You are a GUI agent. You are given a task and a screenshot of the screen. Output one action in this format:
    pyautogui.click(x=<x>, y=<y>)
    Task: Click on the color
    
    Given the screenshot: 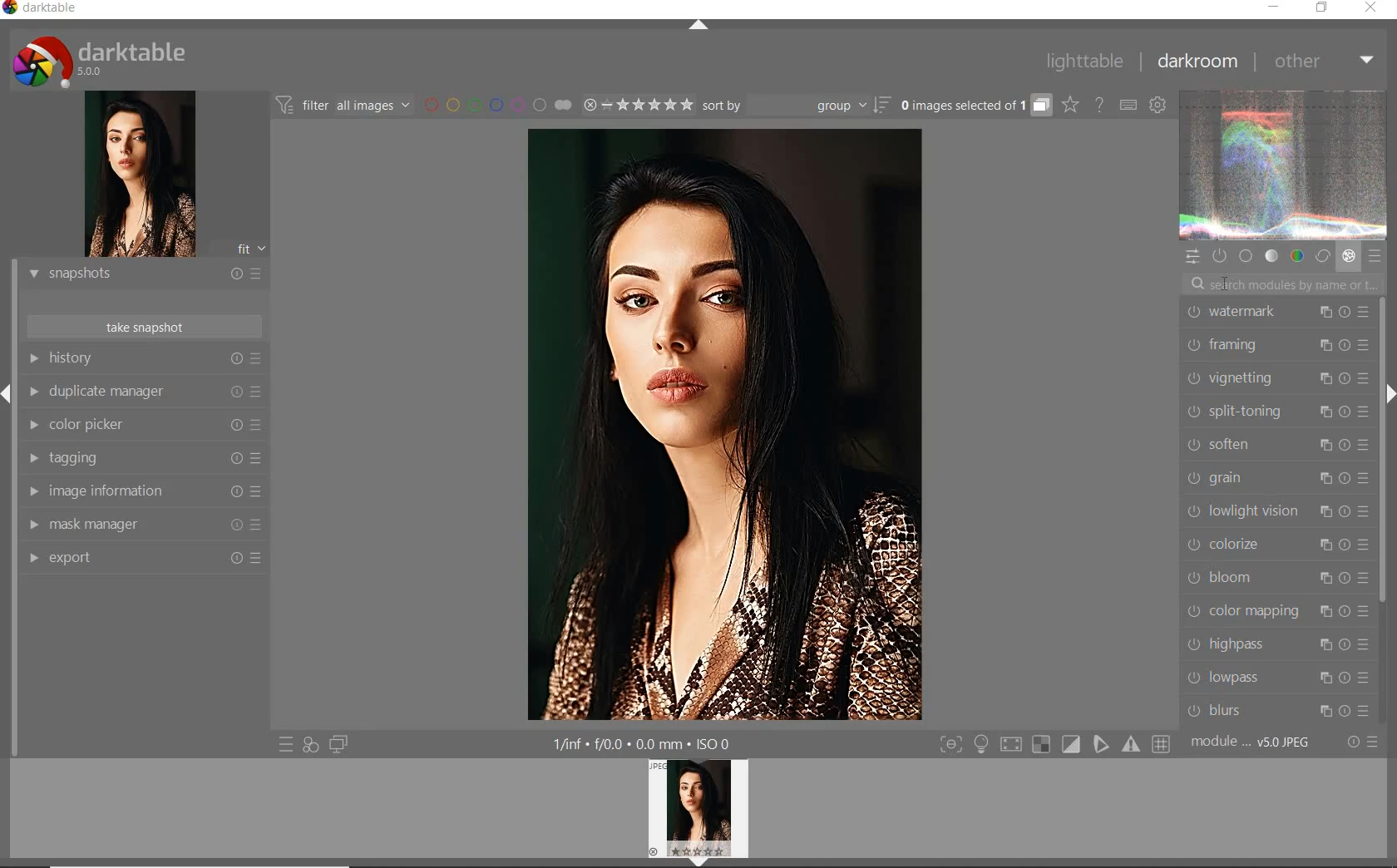 What is the action you would take?
    pyautogui.click(x=1296, y=257)
    